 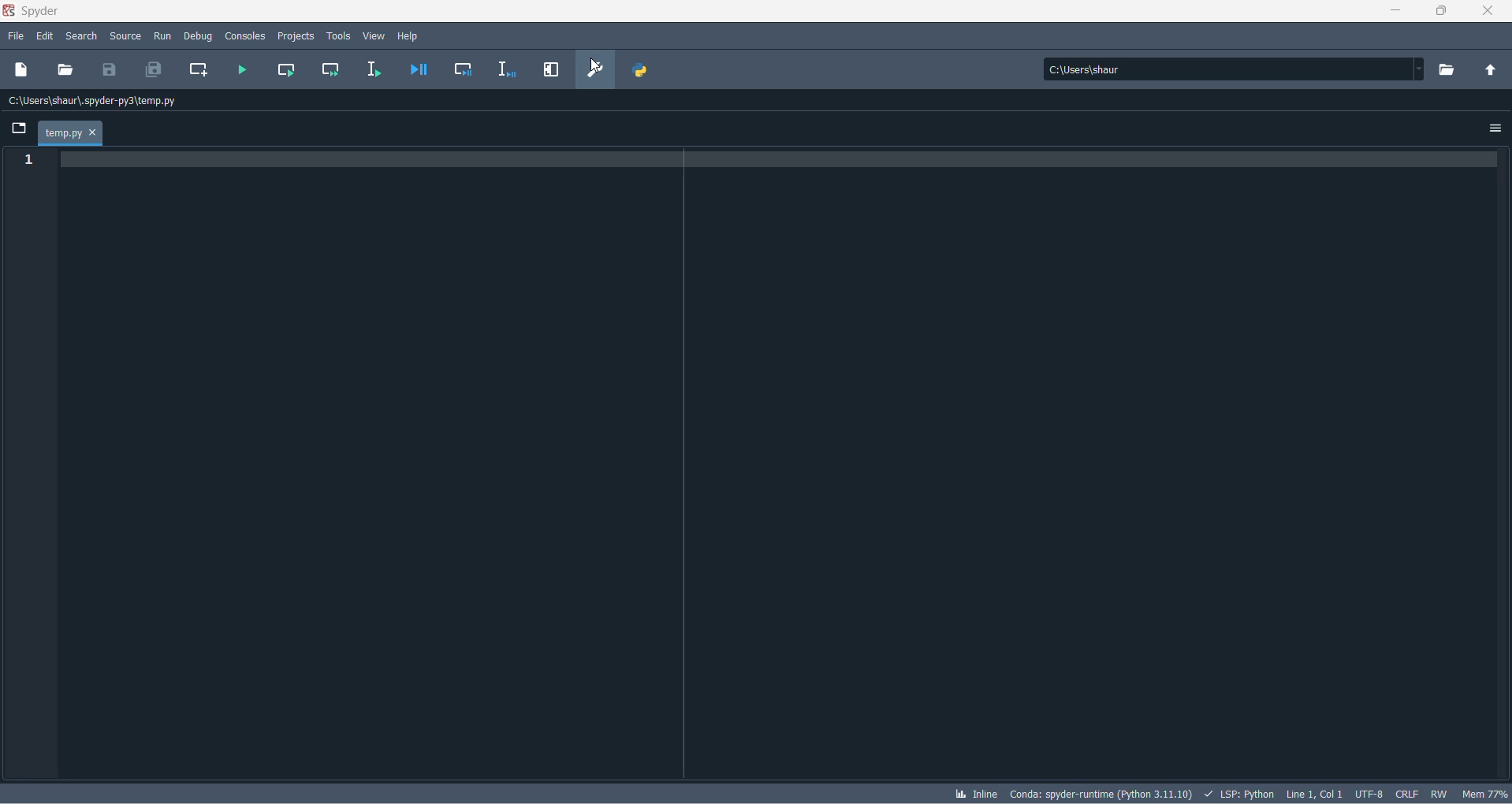 I want to click on debug, so click(x=198, y=34).